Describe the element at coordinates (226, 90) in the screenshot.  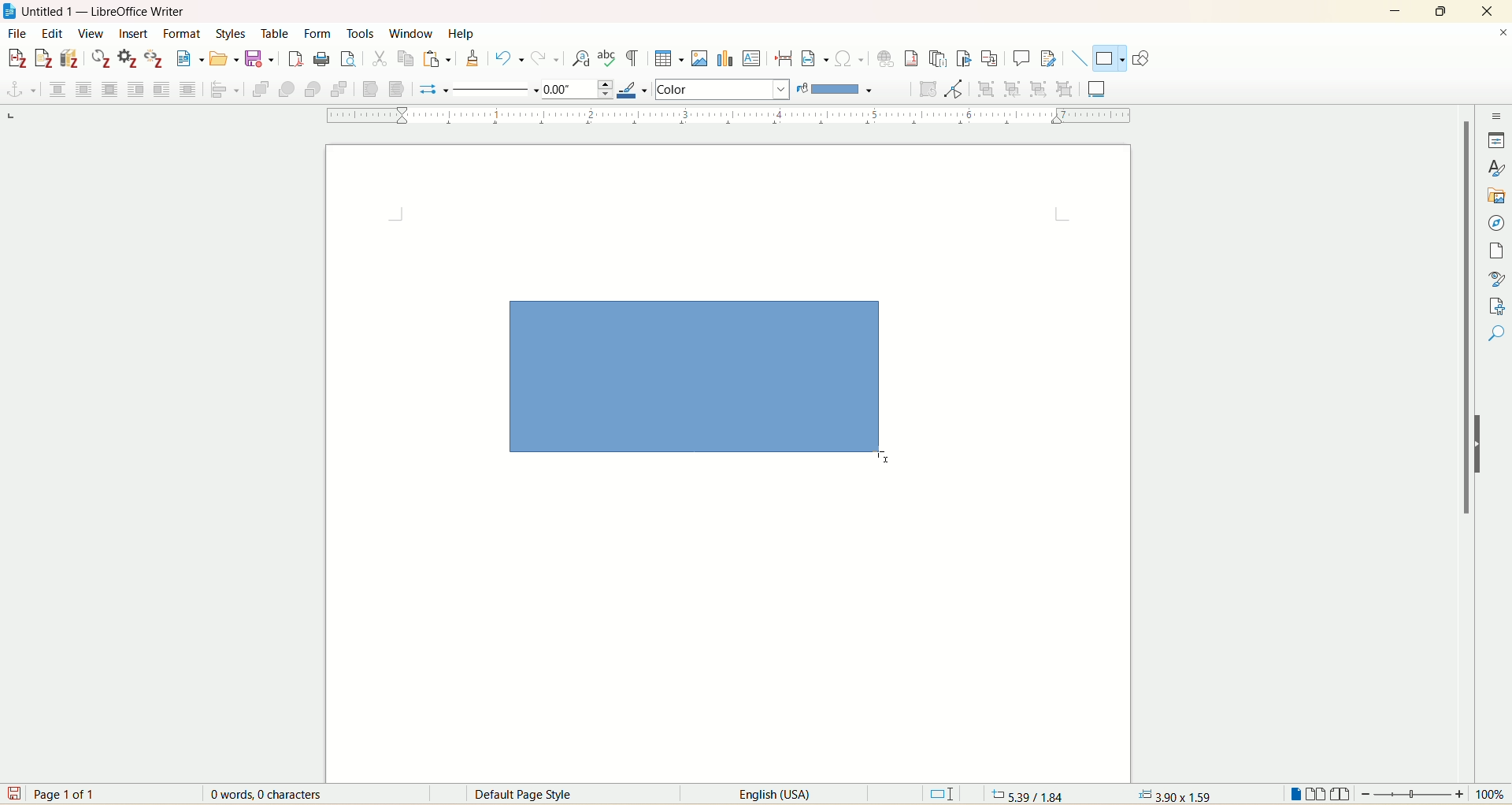
I see `align objects` at that location.